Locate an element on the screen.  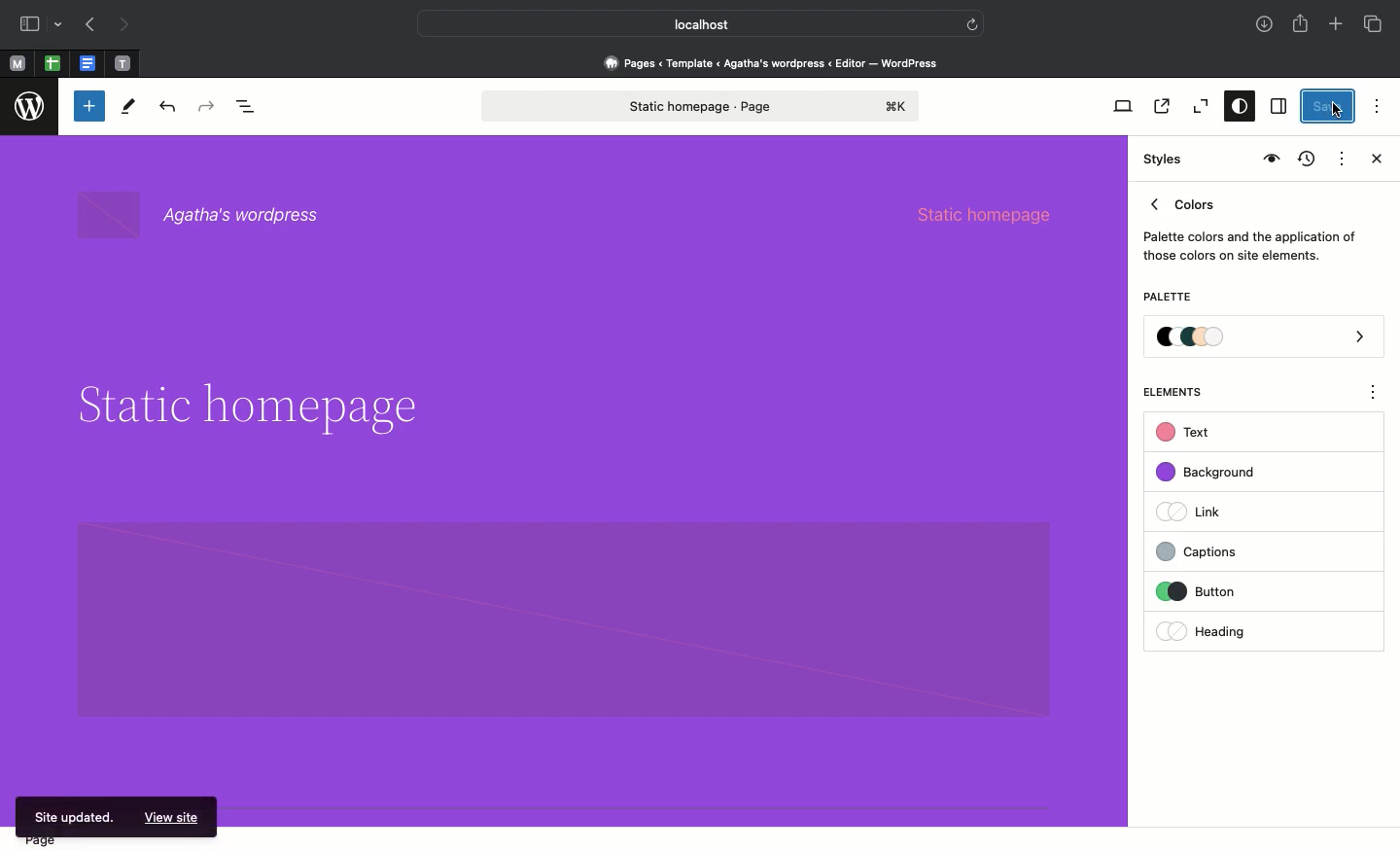
Site updated with new color customization is located at coordinates (70, 818).